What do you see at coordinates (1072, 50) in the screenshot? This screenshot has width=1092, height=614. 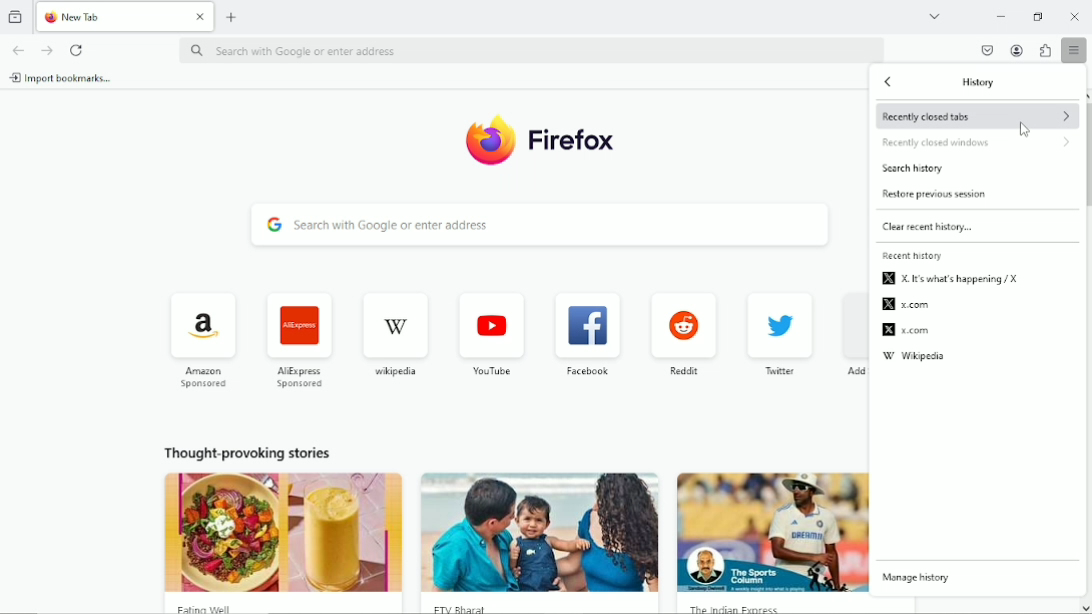 I see `open application menu` at bounding box center [1072, 50].